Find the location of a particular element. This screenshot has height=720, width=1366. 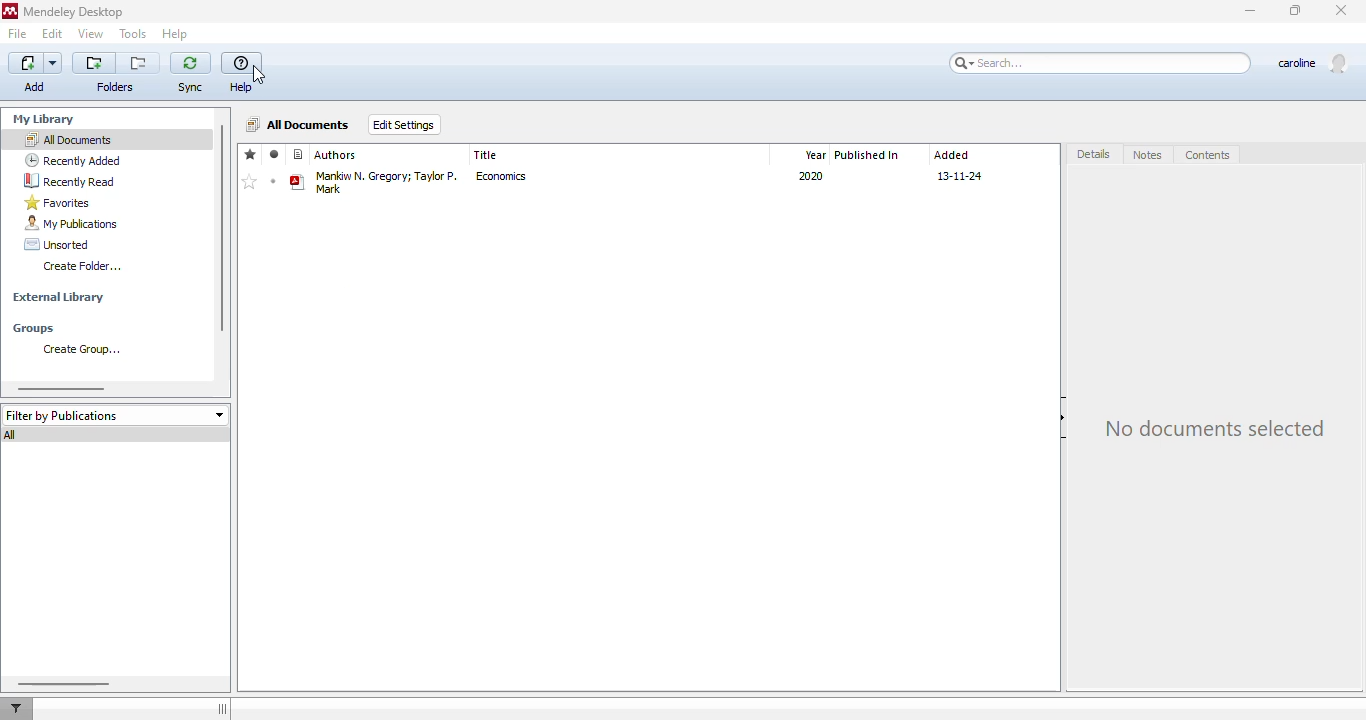

file is located at coordinates (17, 33).